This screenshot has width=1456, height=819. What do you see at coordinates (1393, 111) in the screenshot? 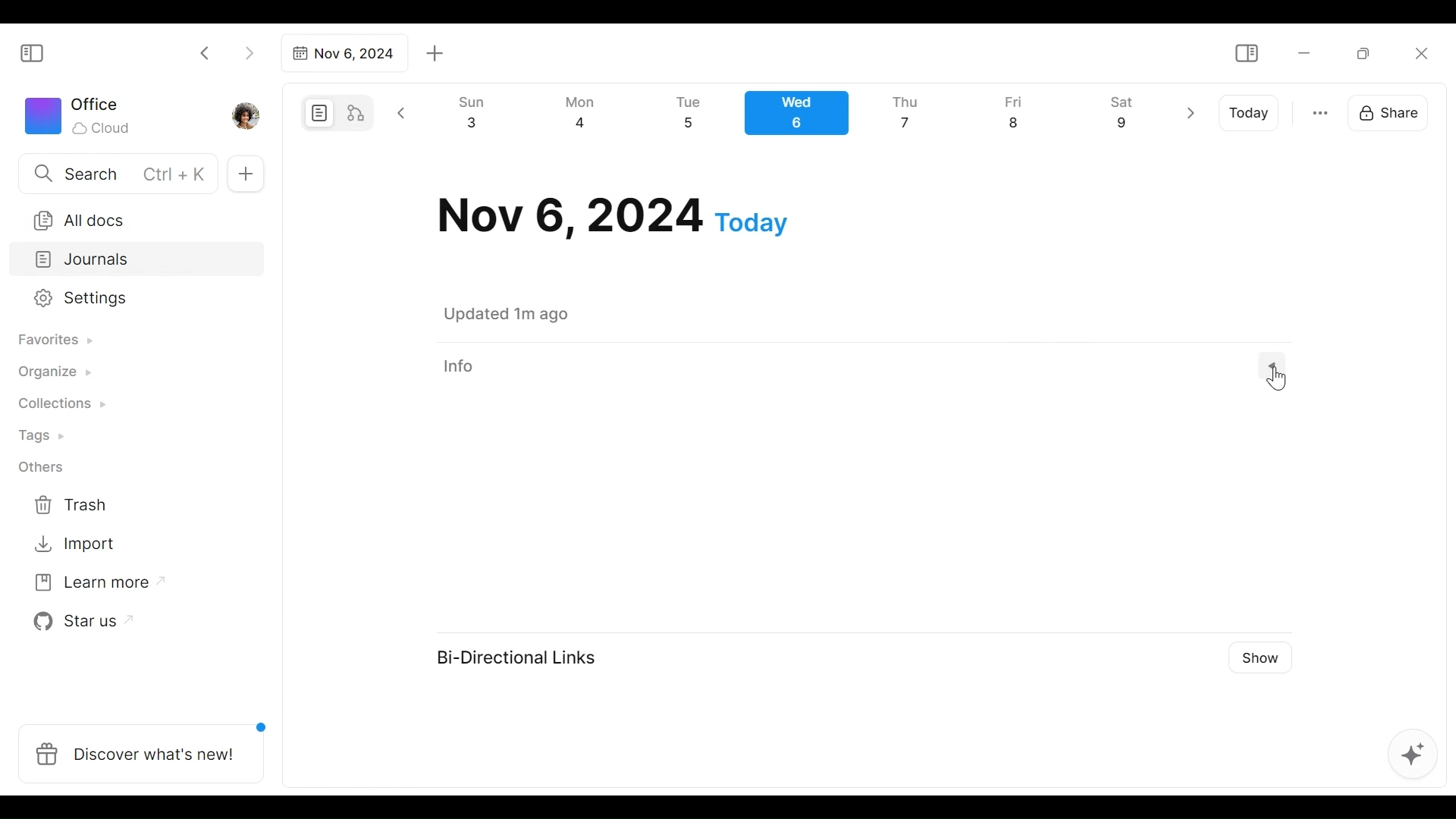
I see `Share` at bounding box center [1393, 111].